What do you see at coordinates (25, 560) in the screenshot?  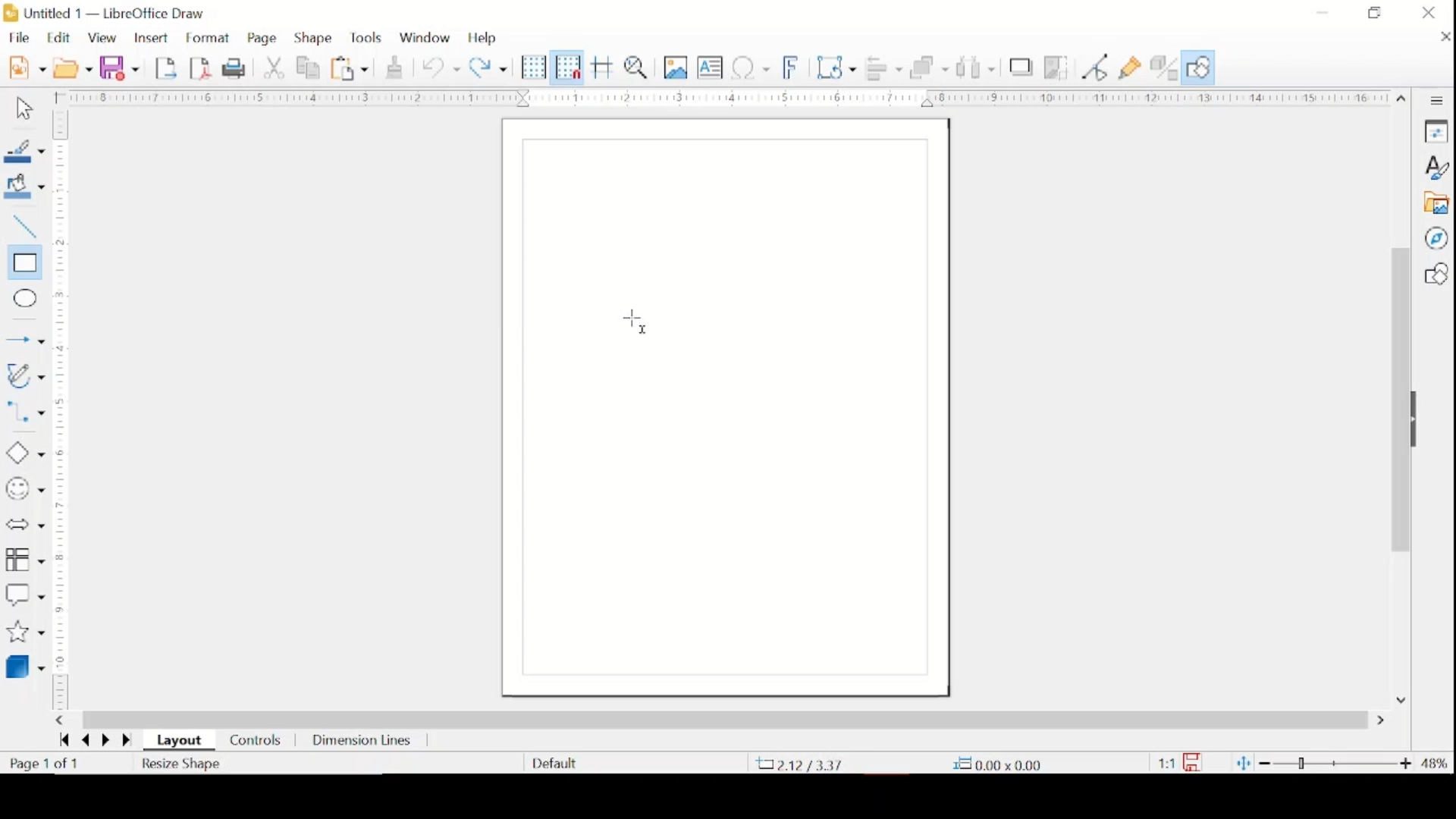 I see `flowchart` at bounding box center [25, 560].